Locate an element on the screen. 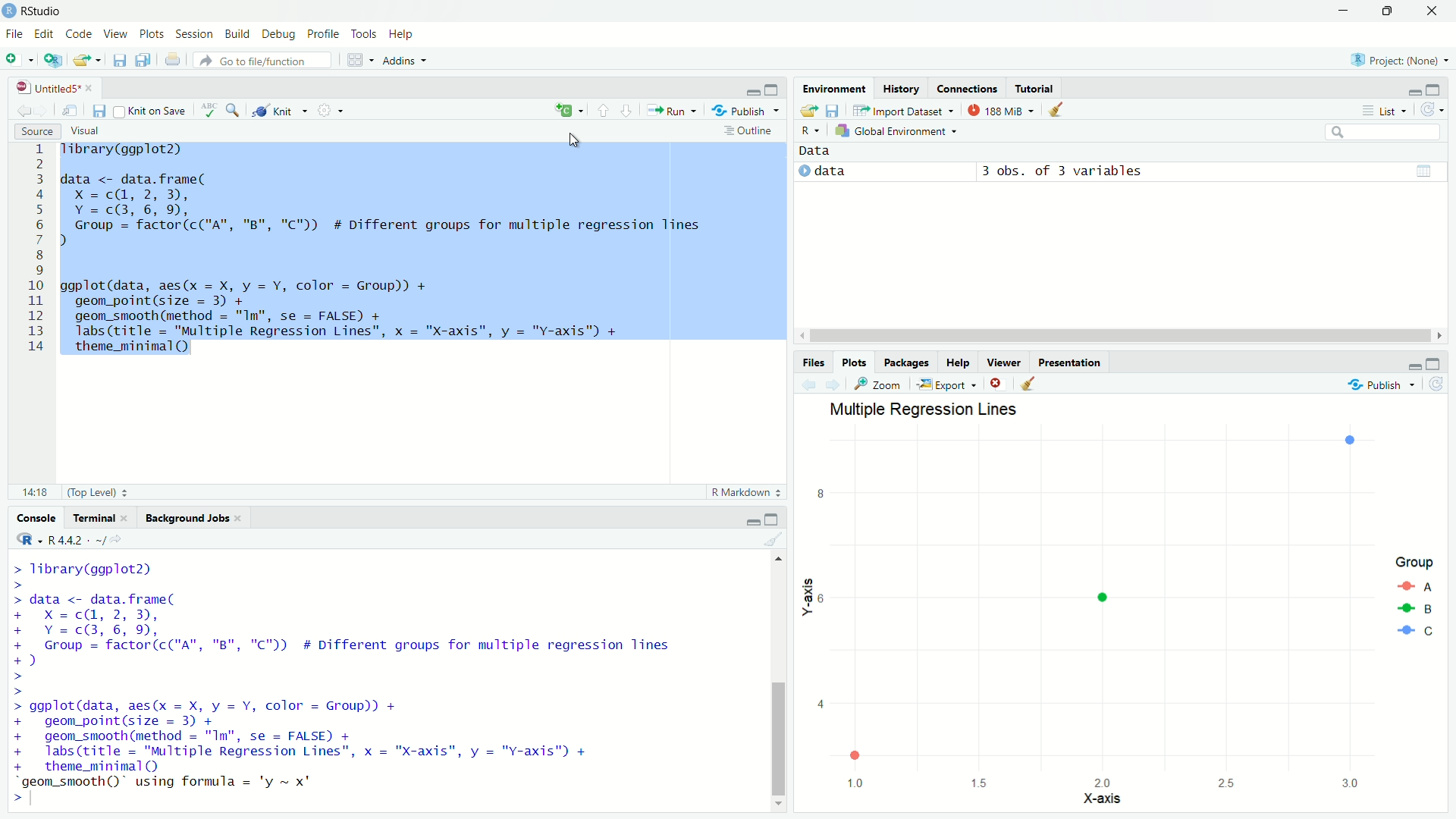 The image size is (1456, 819). close is located at coordinates (1438, 11).